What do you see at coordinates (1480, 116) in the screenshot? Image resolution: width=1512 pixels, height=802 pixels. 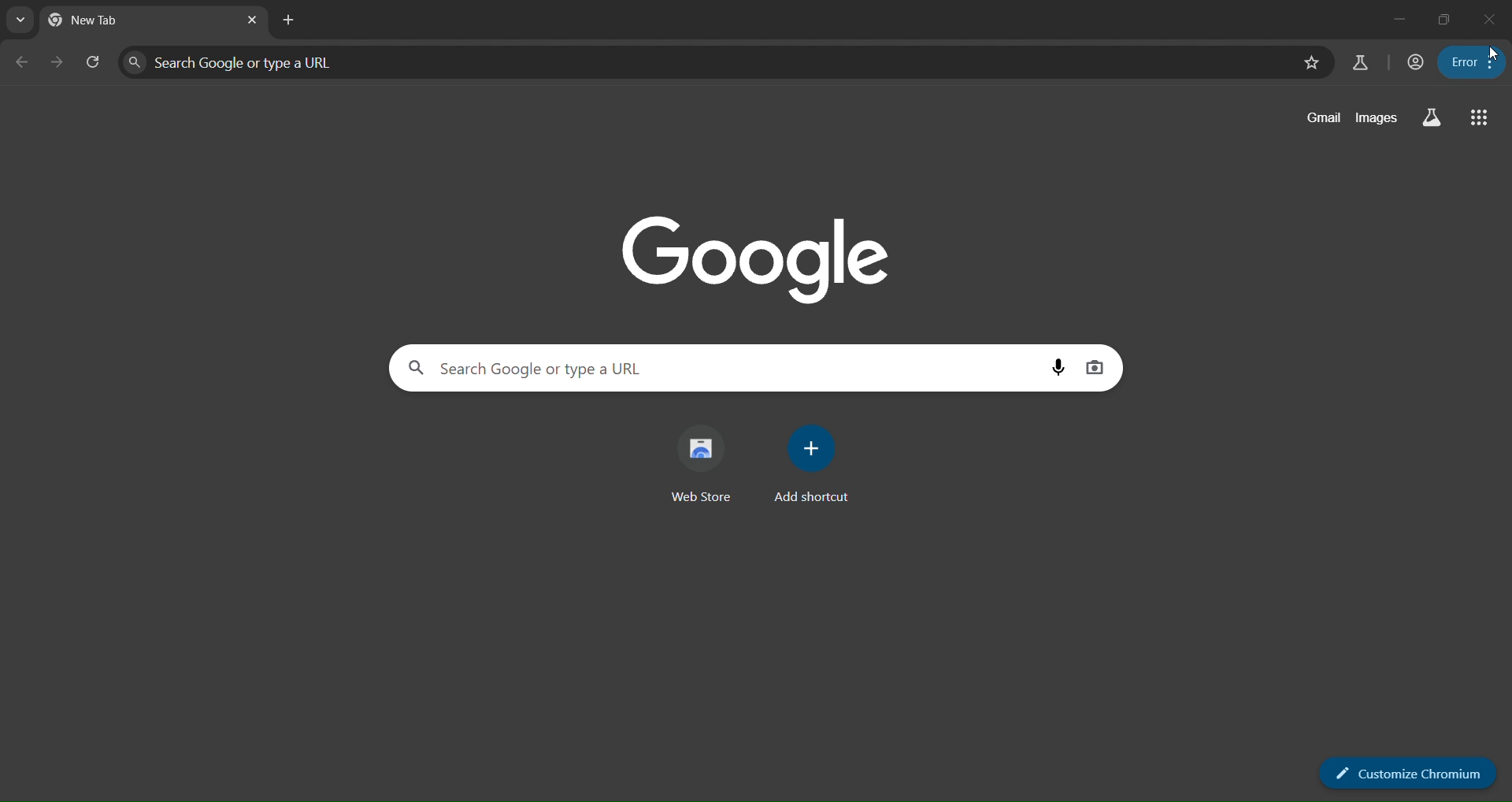 I see `google apps` at bounding box center [1480, 116].